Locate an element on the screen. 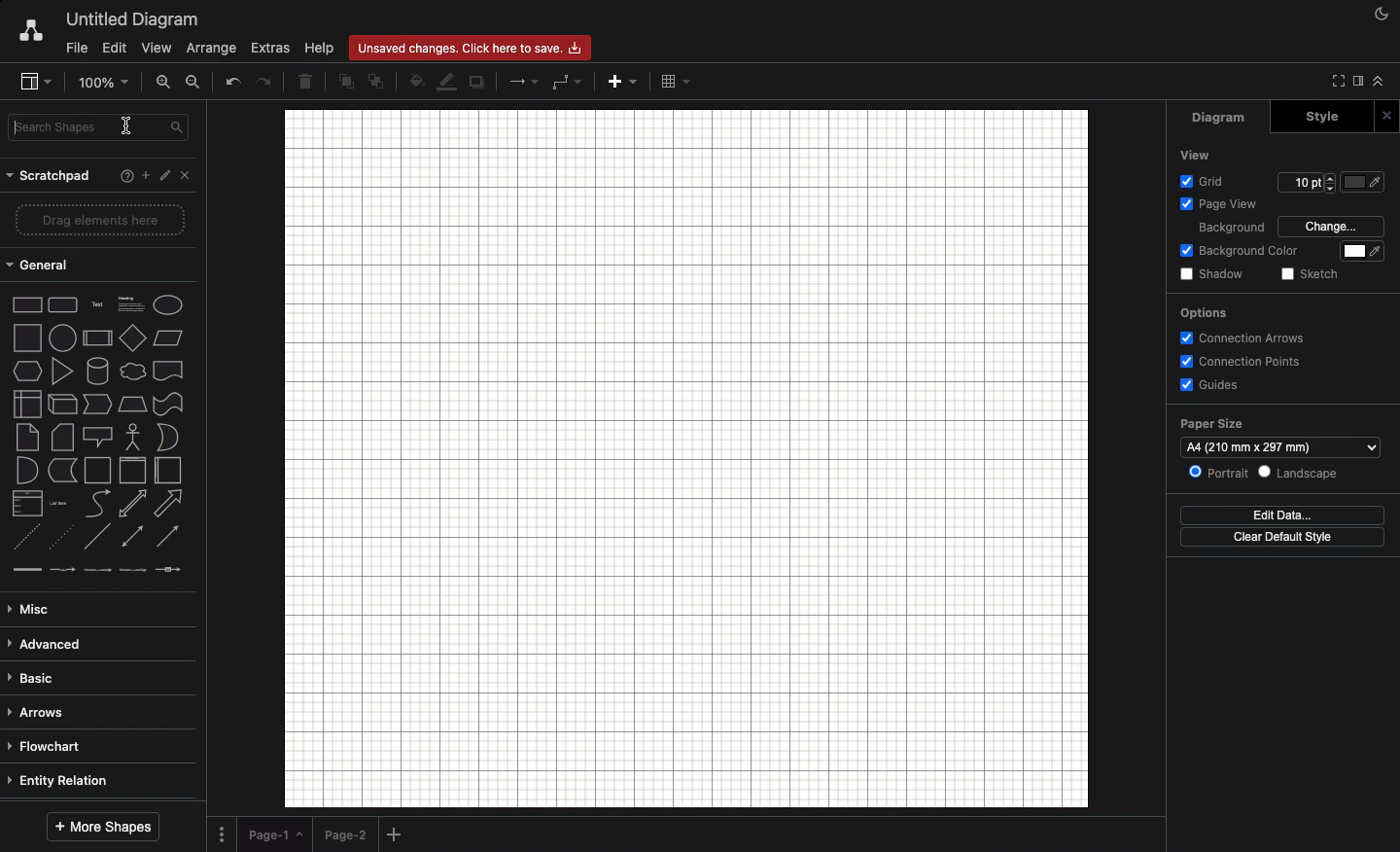  General is located at coordinates (43, 266).